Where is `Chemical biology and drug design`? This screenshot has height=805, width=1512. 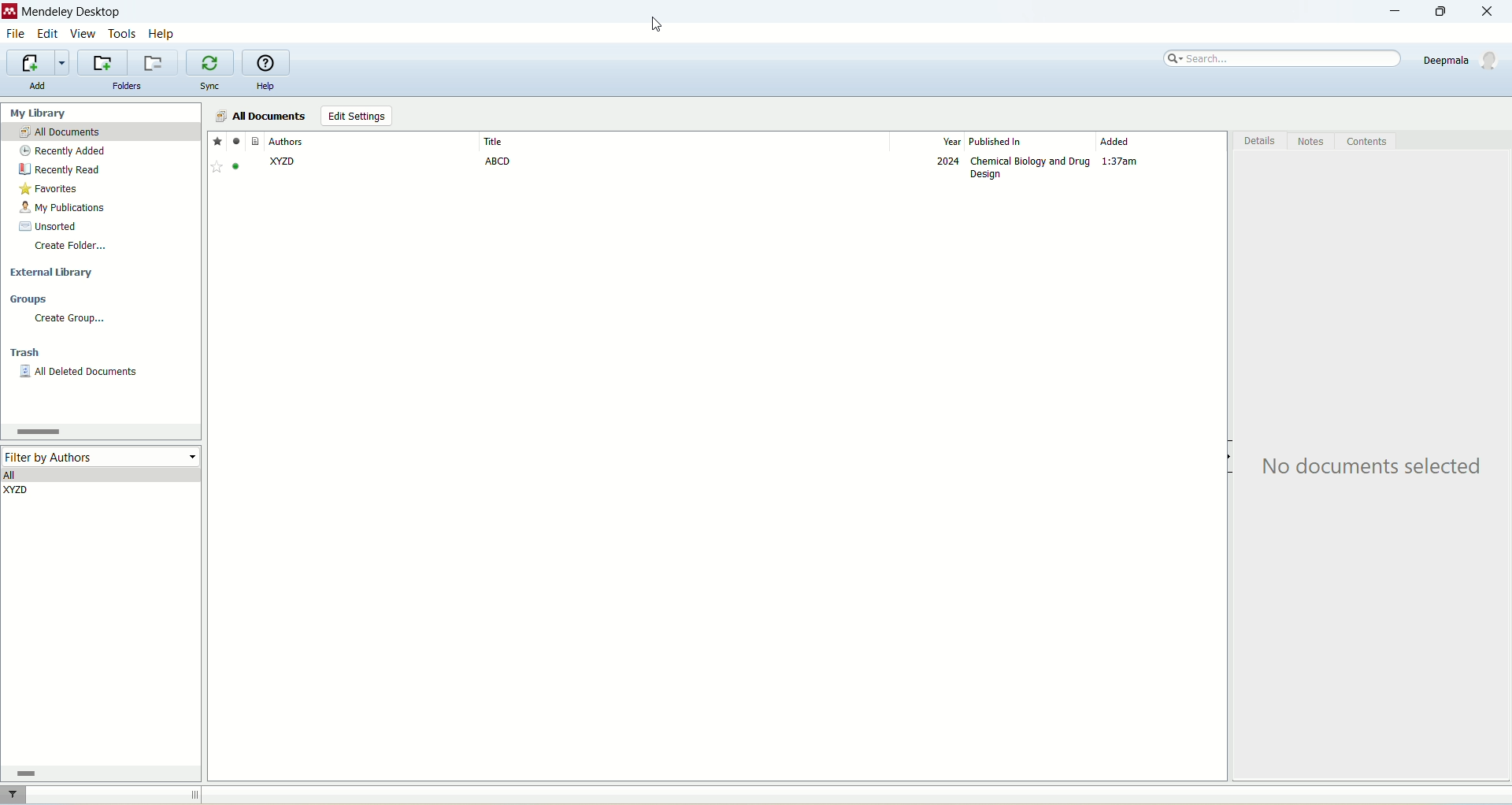 Chemical biology and drug design is located at coordinates (1029, 170).